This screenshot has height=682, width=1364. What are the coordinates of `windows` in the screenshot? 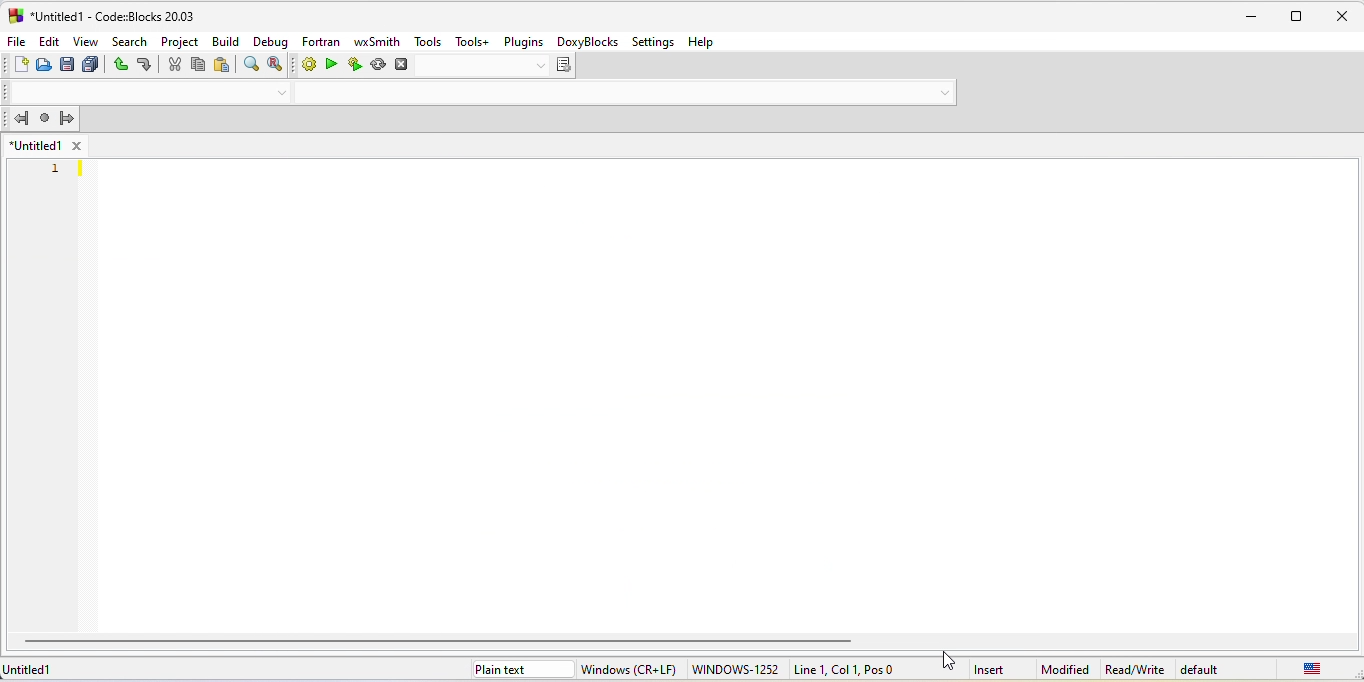 It's located at (633, 669).